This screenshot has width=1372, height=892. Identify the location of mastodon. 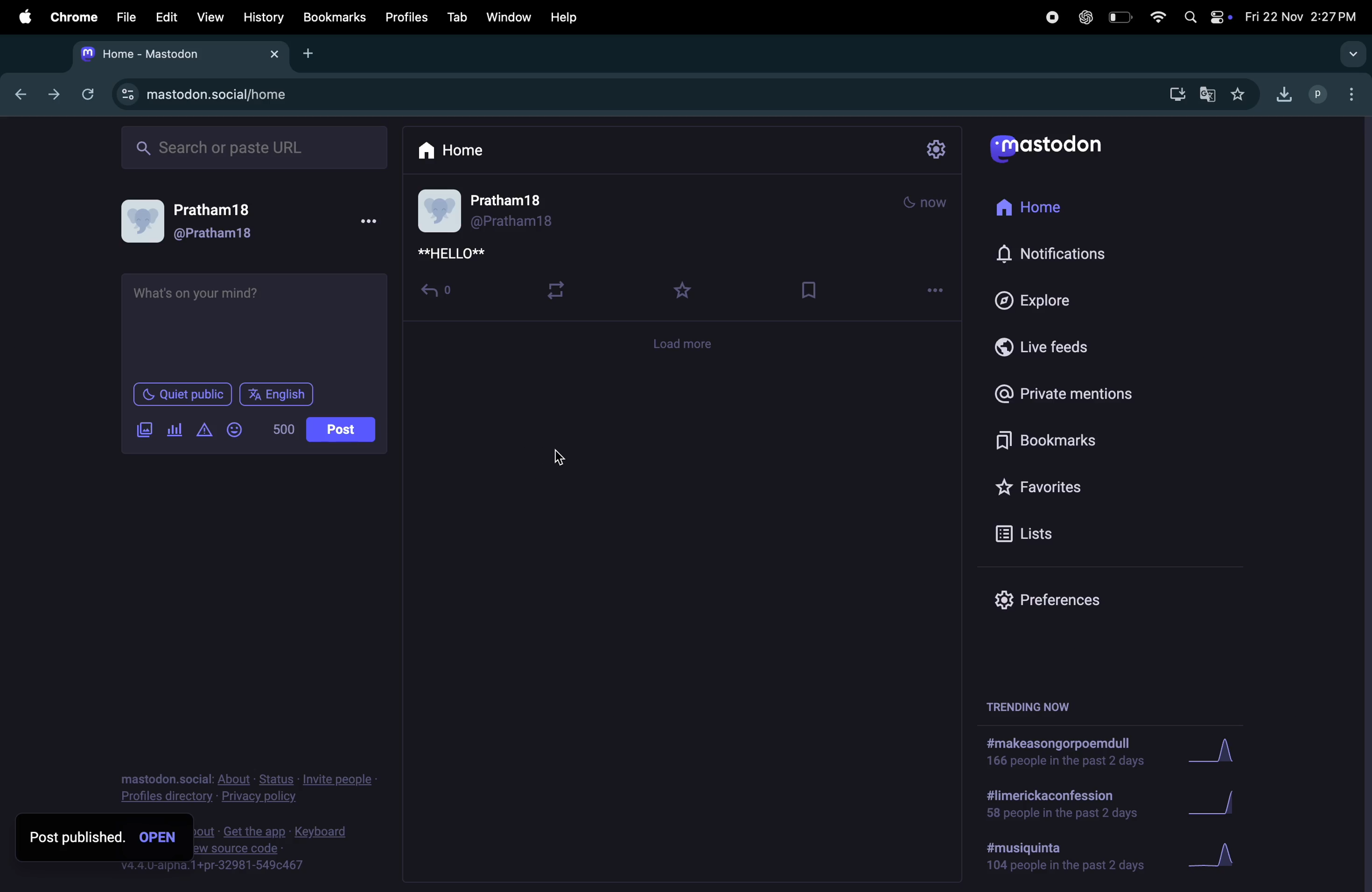
(1053, 149).